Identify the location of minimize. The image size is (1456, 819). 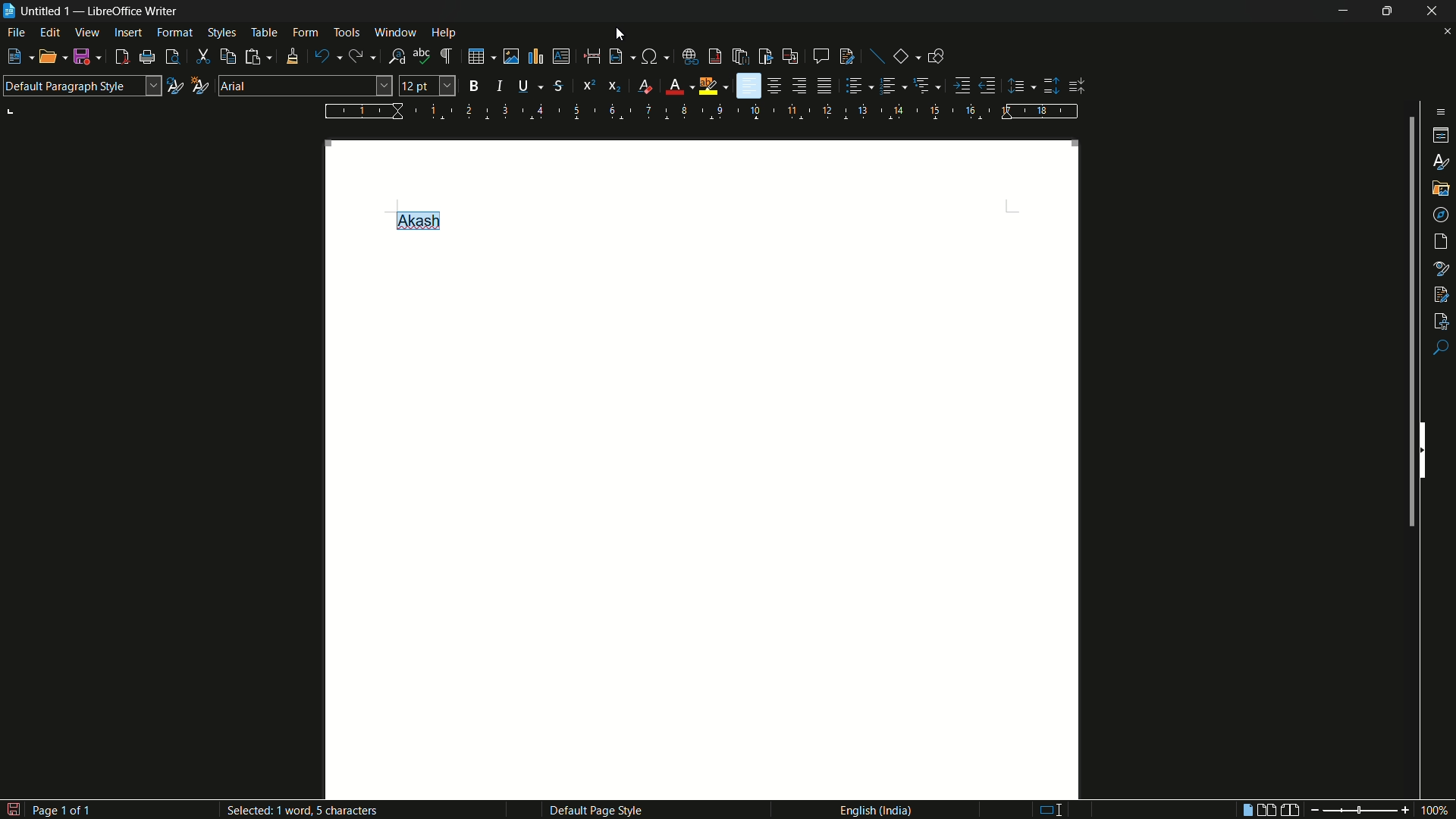
(1338, 11).